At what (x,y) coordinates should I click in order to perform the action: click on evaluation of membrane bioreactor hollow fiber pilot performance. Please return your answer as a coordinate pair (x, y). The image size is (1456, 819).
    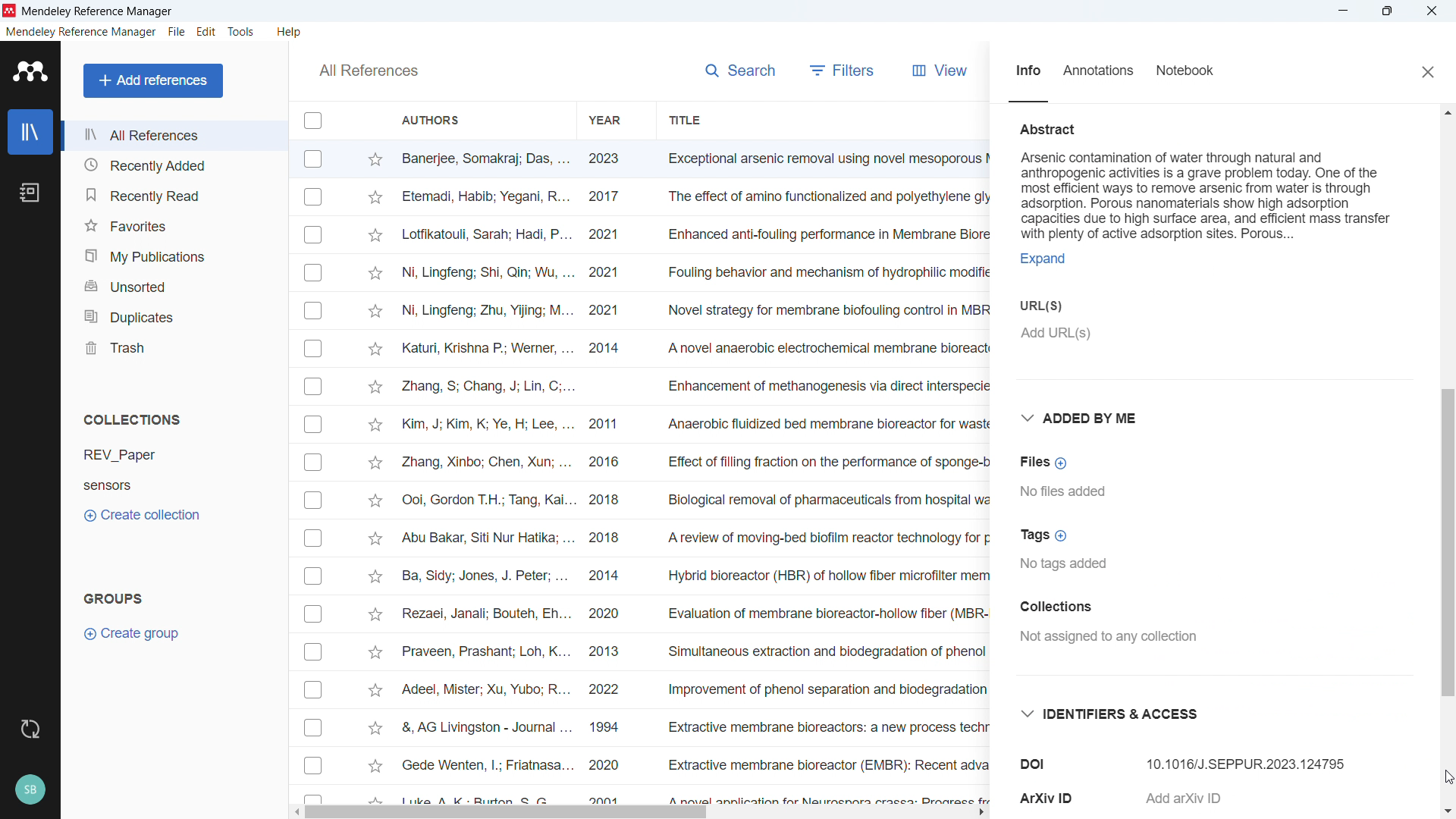
    Looking at the image, I should click on (826, 614).